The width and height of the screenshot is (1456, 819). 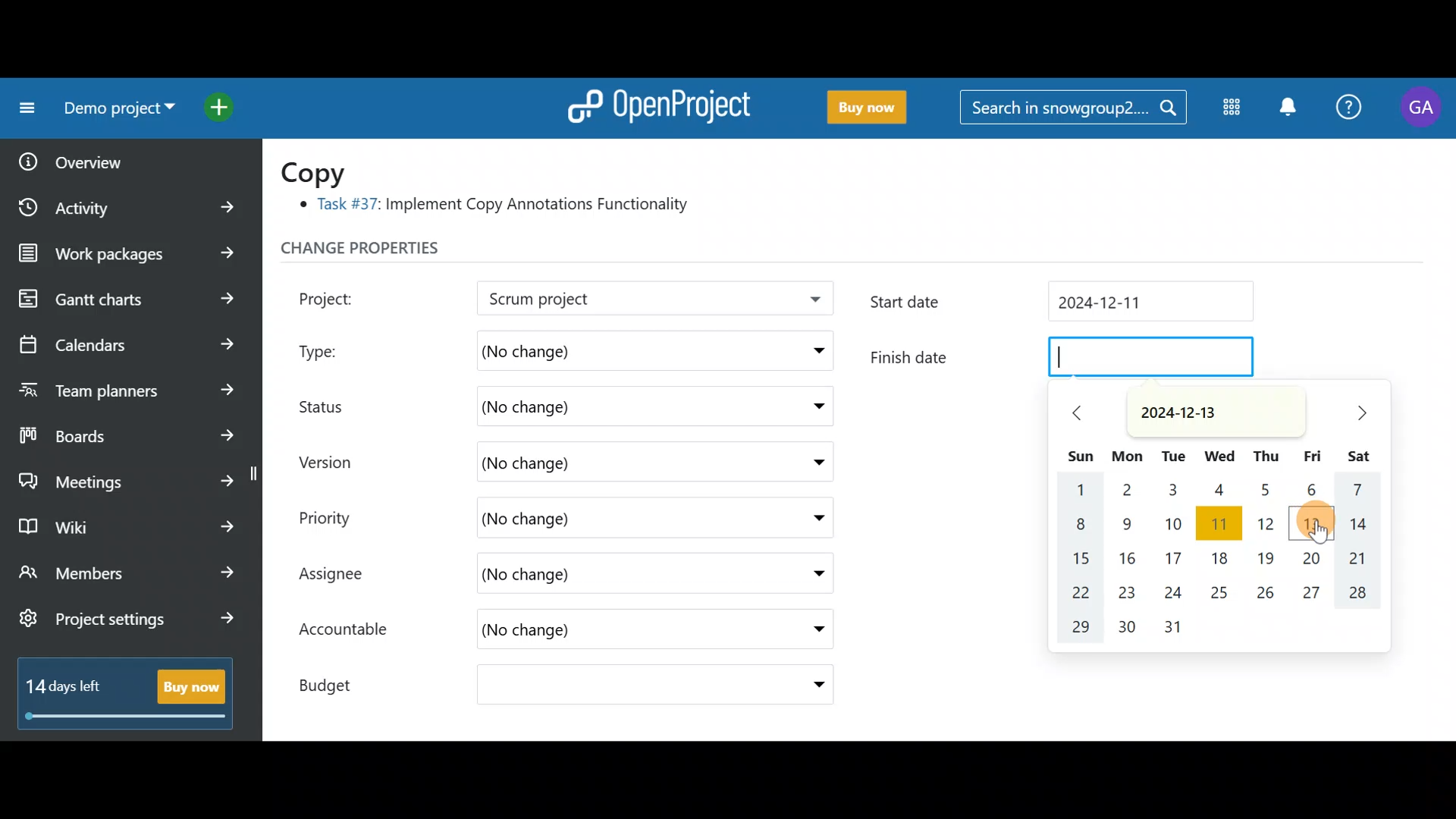 What do you see at coordinates (604, 687) in the screenshot?
I see `(No change)` at bounding box center [604, 687].